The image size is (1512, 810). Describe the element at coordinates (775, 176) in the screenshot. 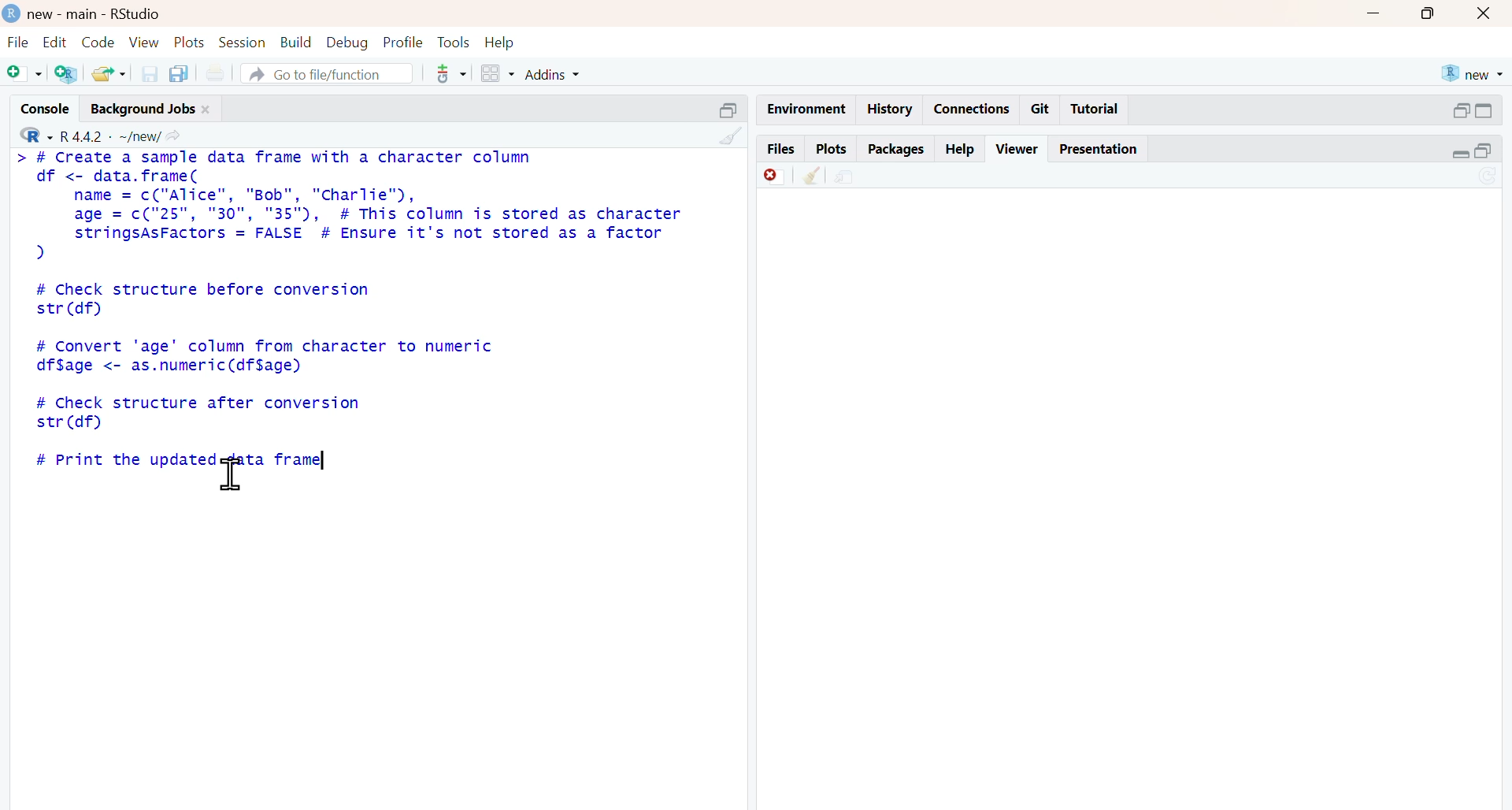

I see `Discard ` at that location.